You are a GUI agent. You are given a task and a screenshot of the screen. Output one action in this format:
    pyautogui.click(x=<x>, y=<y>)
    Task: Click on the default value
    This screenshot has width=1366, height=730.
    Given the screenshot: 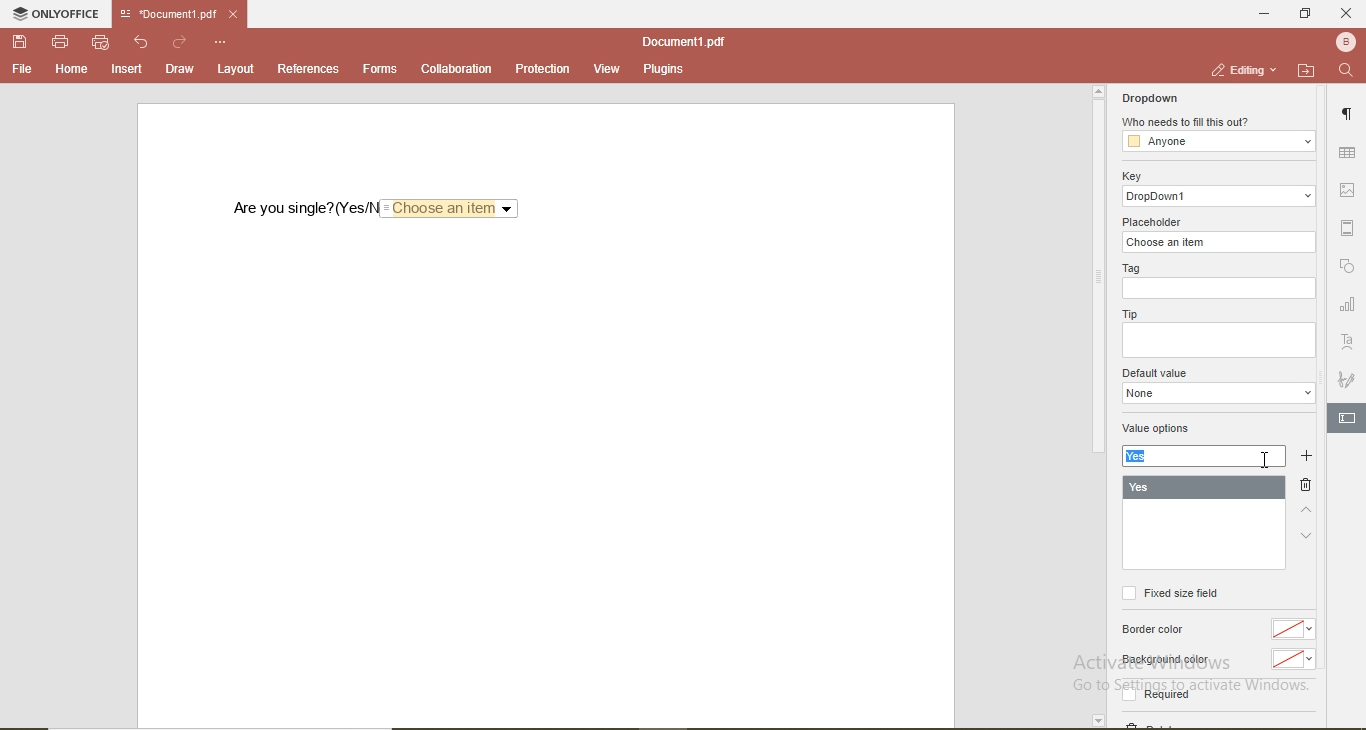 What is the action you would take?
    pyautogui.click(x=1157, y=372)
    